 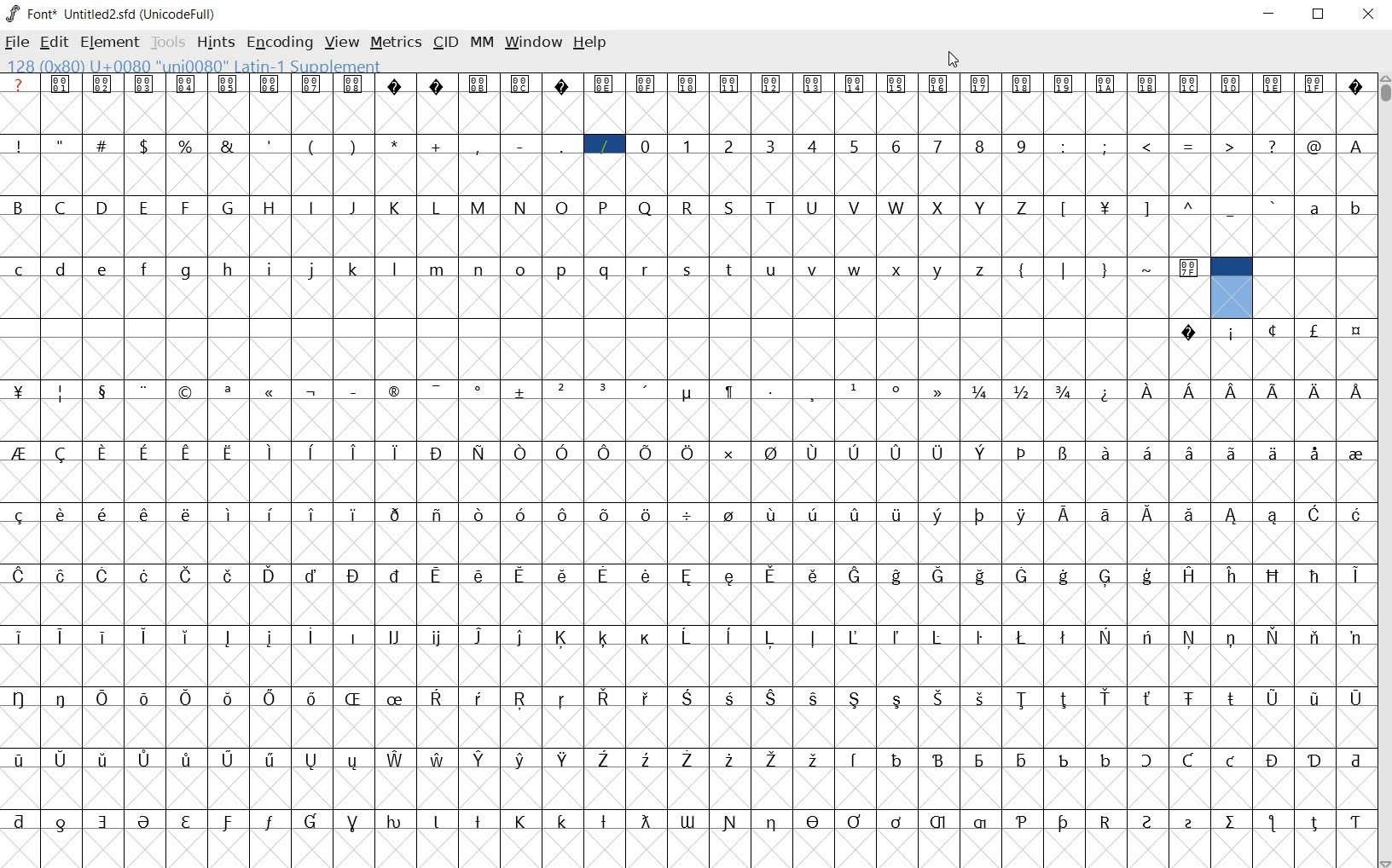 I want to click on Symbol, so click(x=1354, y=512).